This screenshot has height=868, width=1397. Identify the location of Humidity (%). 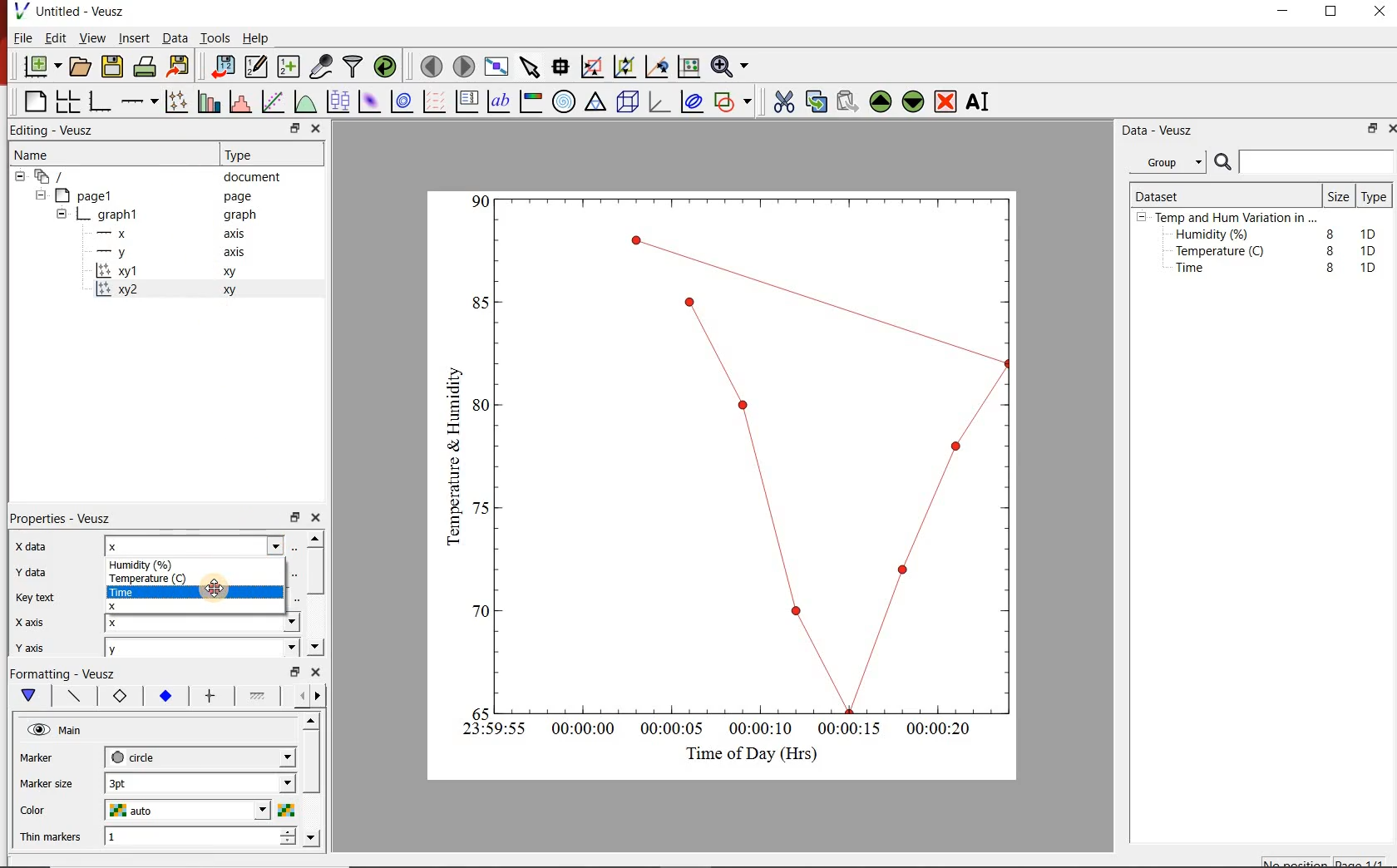
(1216, 235).